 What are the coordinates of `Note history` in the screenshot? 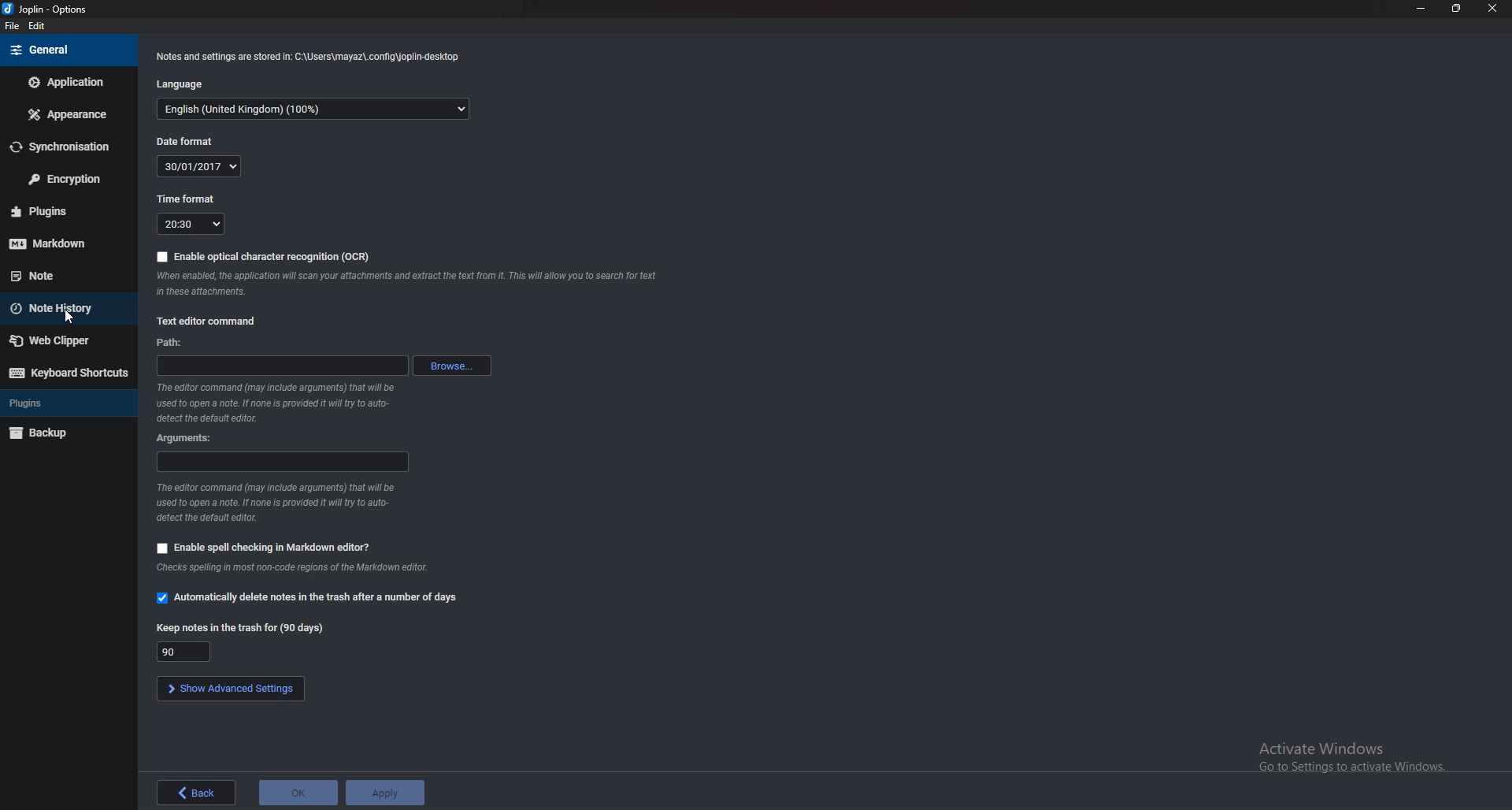 It's located at (61, 309).